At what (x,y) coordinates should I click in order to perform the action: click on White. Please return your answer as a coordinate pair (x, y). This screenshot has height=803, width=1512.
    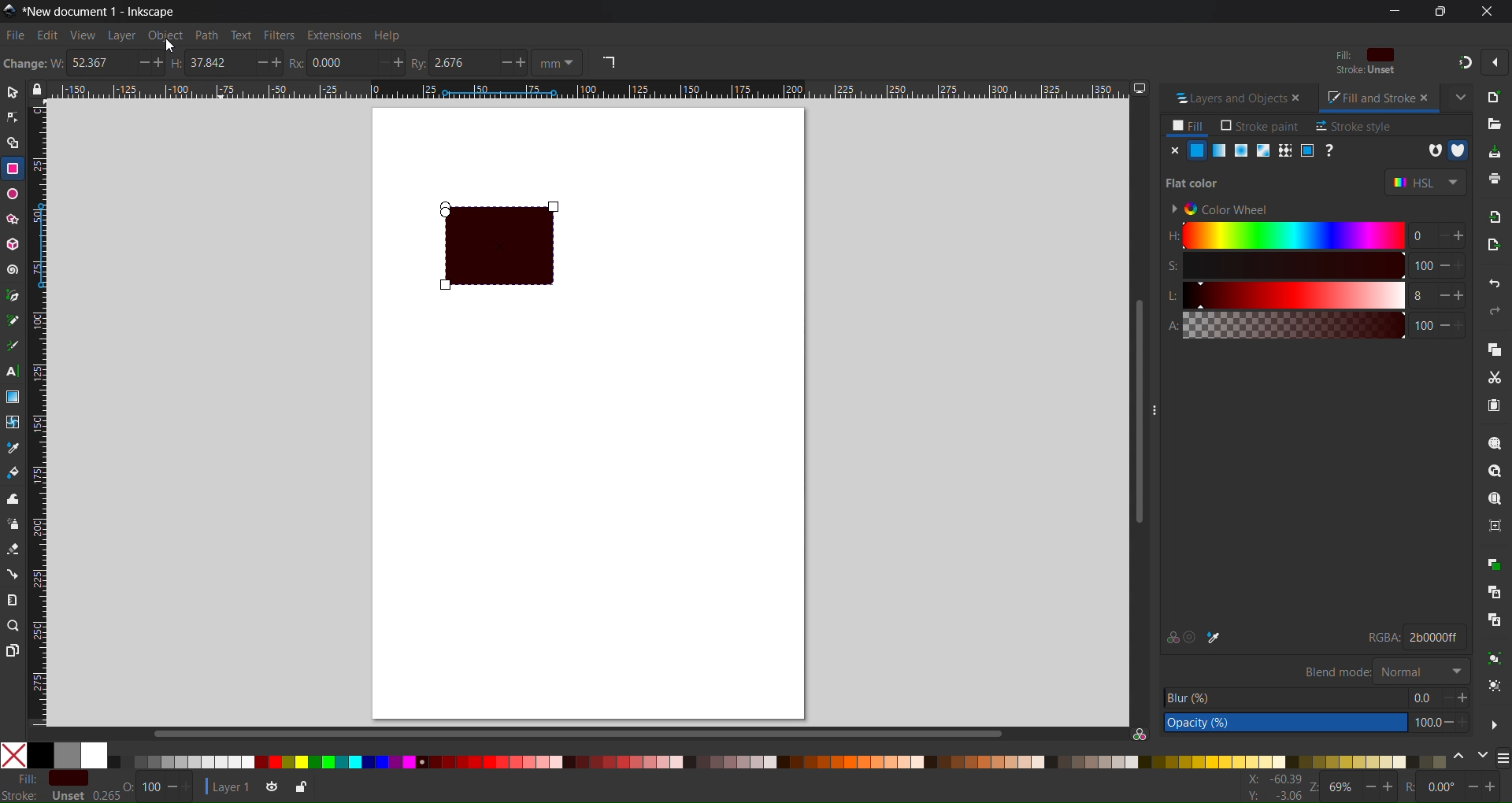
    Looking at the image, I should click on (94, 755).